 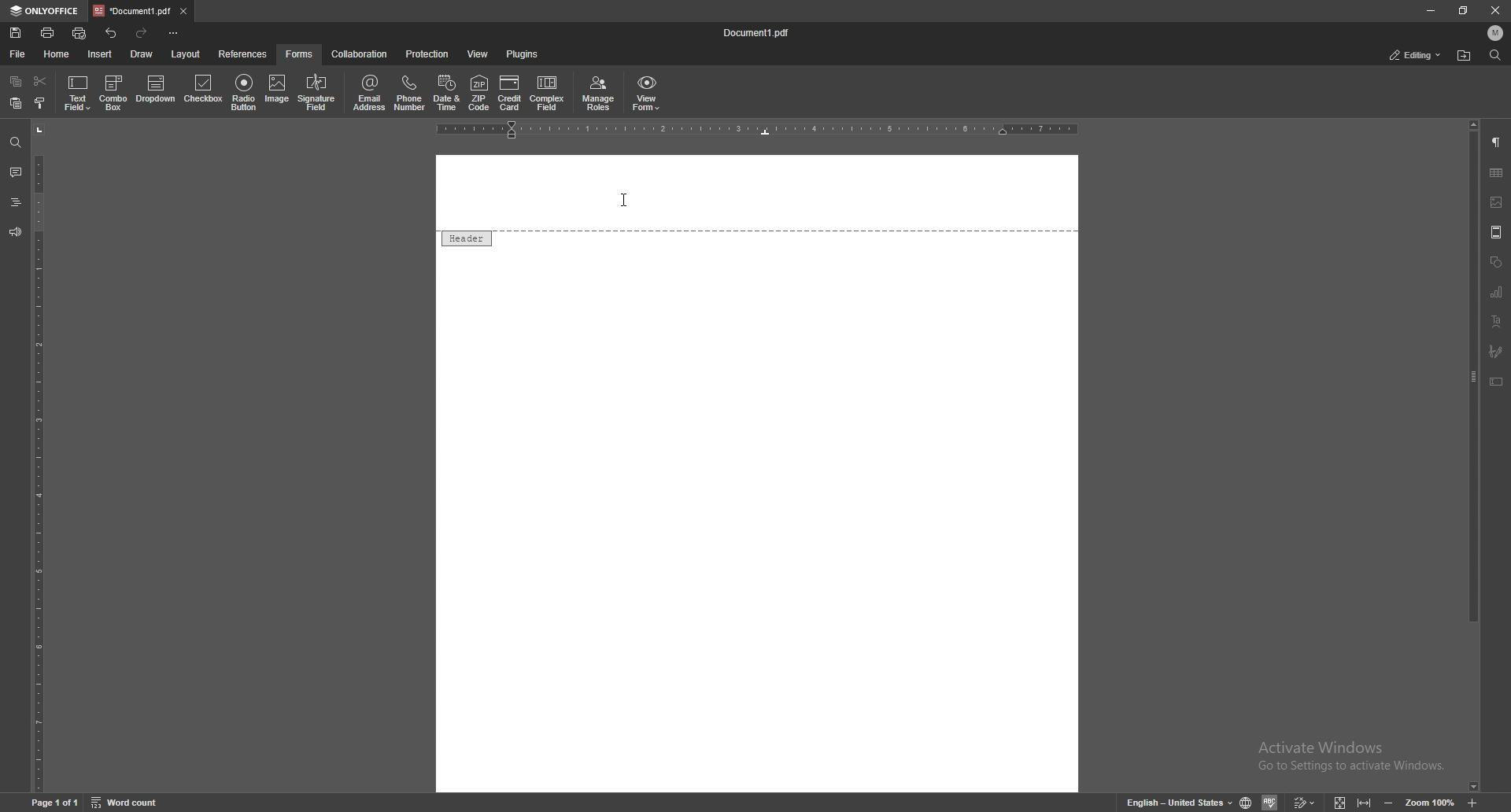 I want to click on plugins, so click(x=523, y=54).